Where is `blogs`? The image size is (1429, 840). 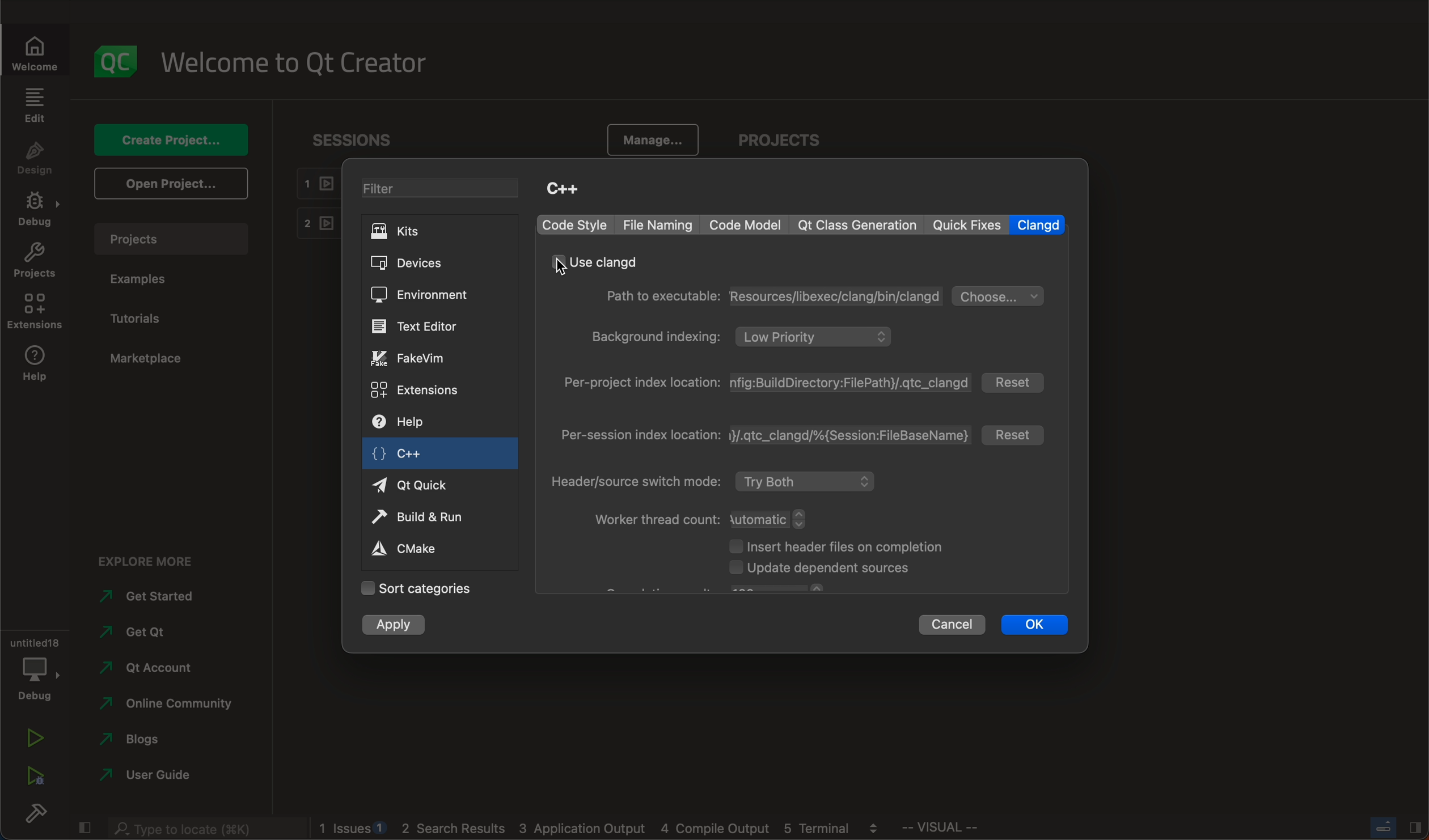
blogs is located at coordinates (133, 740).